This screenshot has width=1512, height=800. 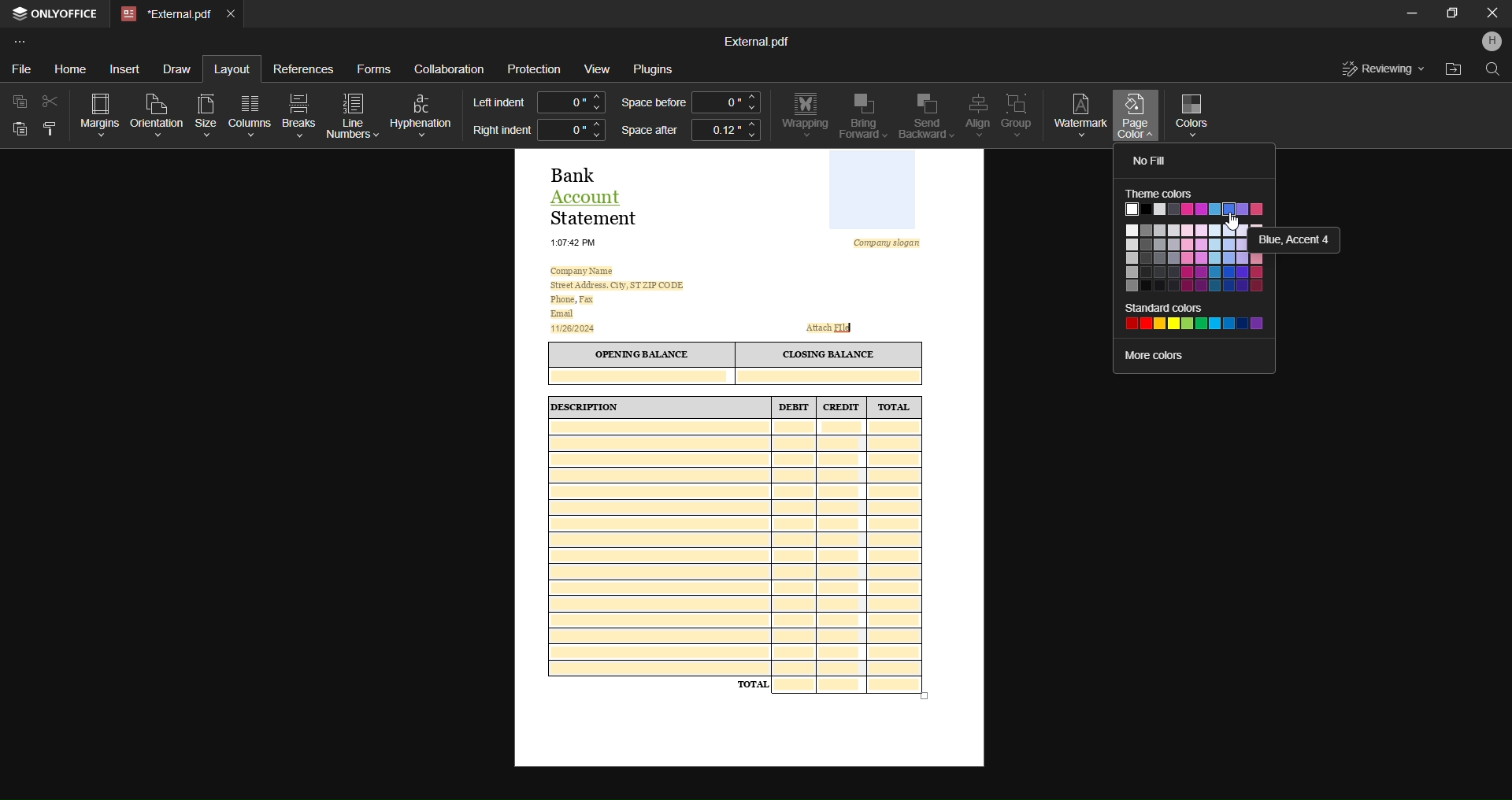 I want to click on Adjust Right Indent, so click(x=571, y=129).